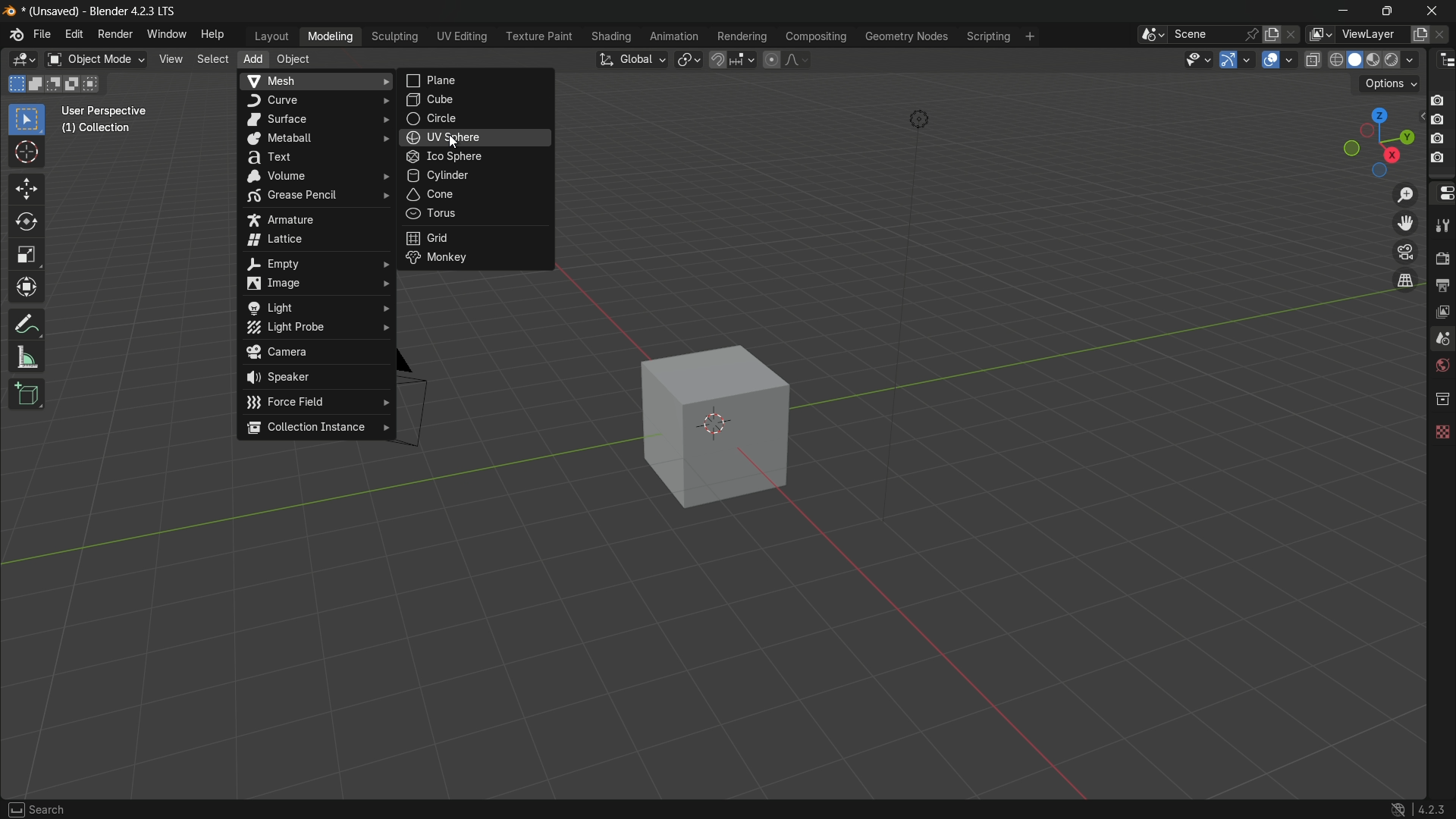  I want to click on camera, so click(317, 354).